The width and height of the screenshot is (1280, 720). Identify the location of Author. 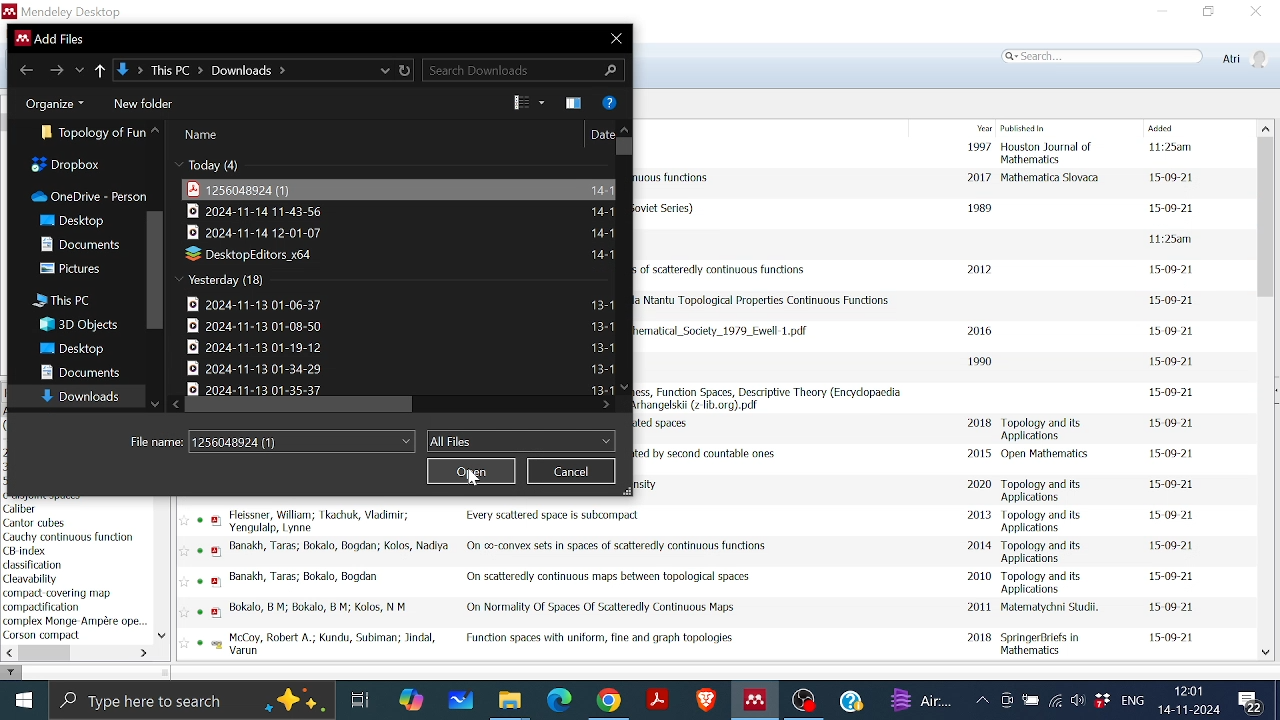
(340, 548).